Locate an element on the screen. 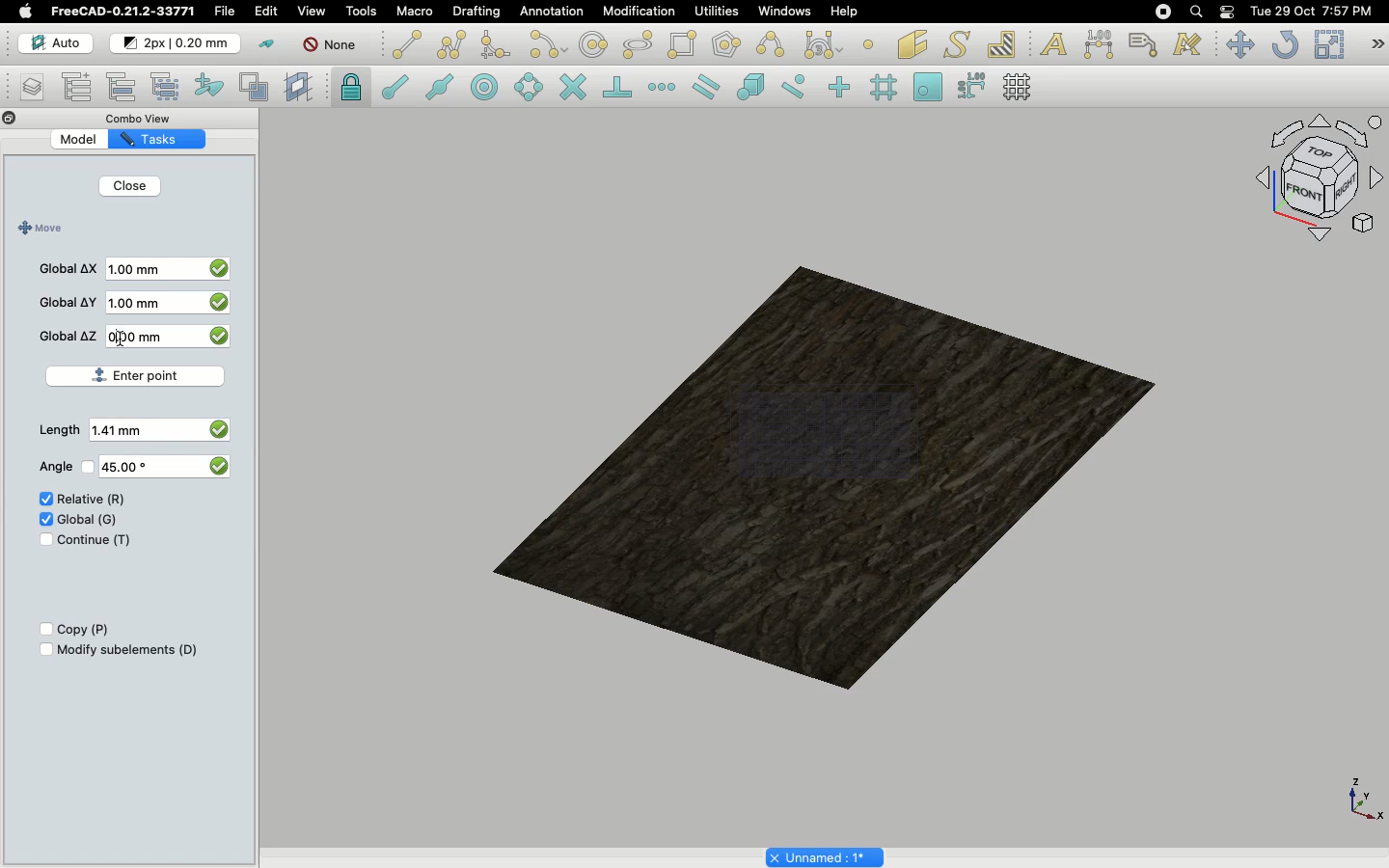  Dimension is located at coordinates (1101, 44).